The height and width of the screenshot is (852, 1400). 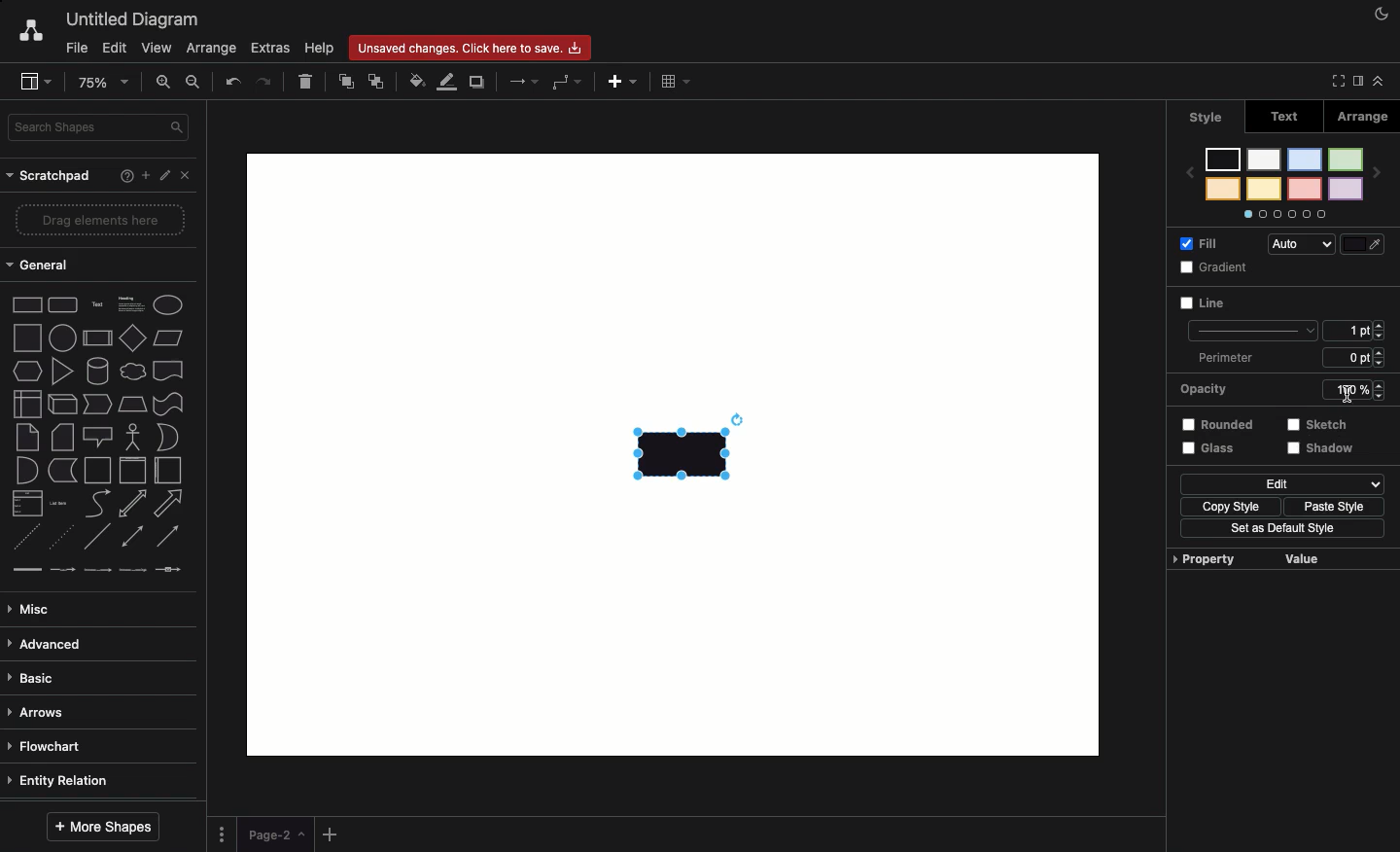 What do you see at coordinates (1221, 160) in the screenshot?
I see `color 7` at bounding box center [1221, 160].